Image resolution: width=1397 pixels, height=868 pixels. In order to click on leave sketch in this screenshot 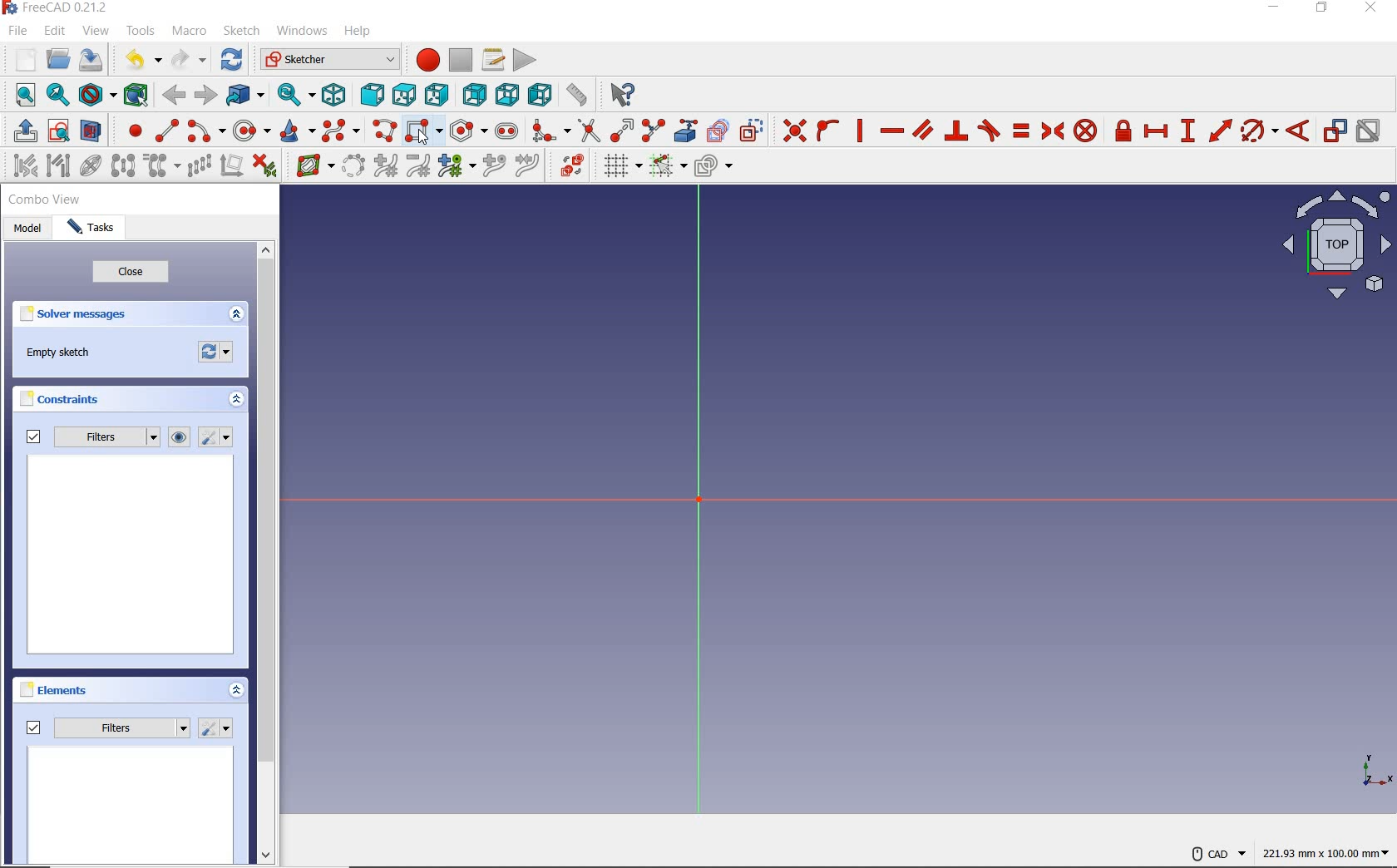, I will do `click(22, 131)`.